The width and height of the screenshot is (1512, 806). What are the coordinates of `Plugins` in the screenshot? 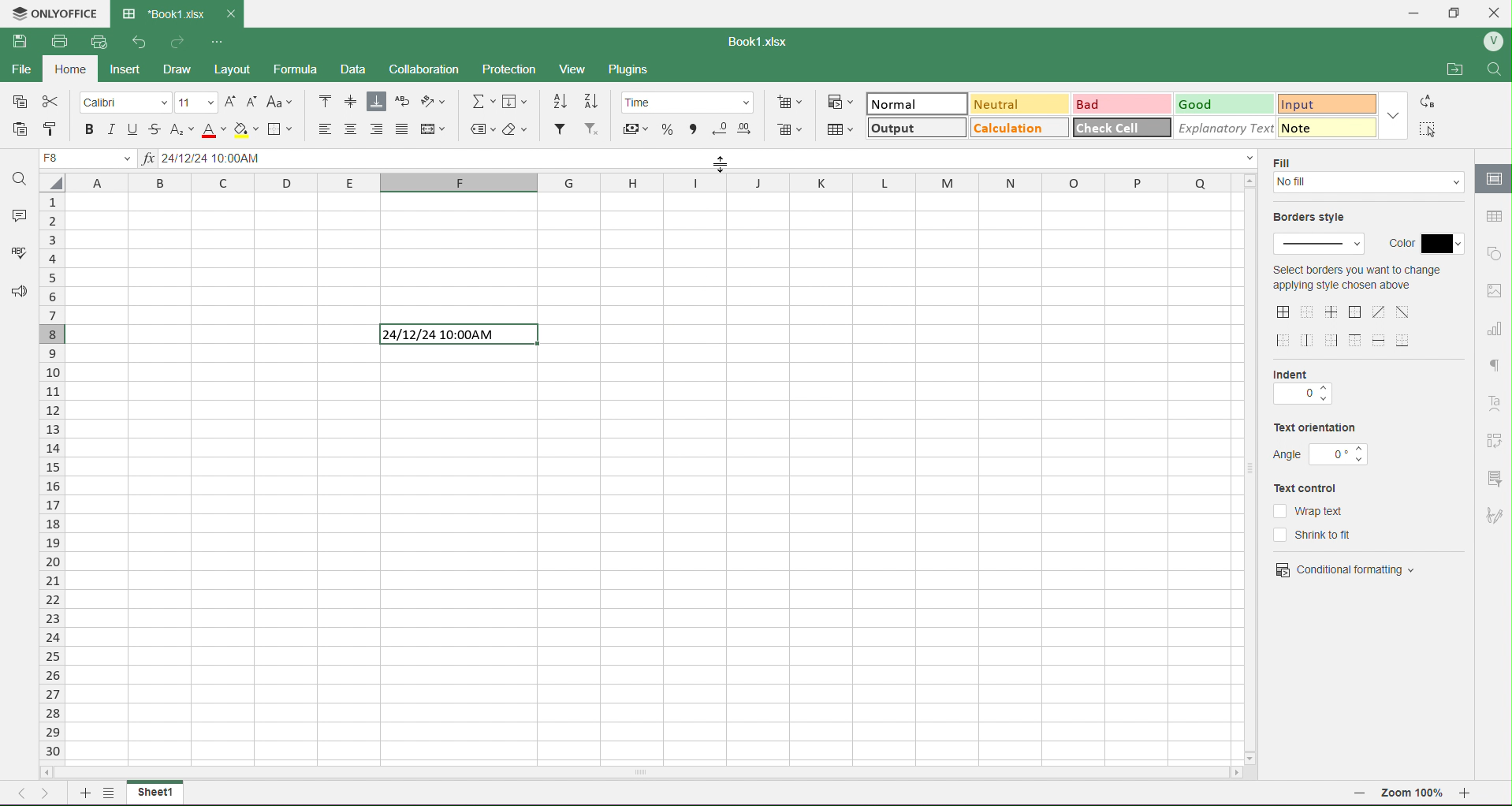 It's located at (635, 70).